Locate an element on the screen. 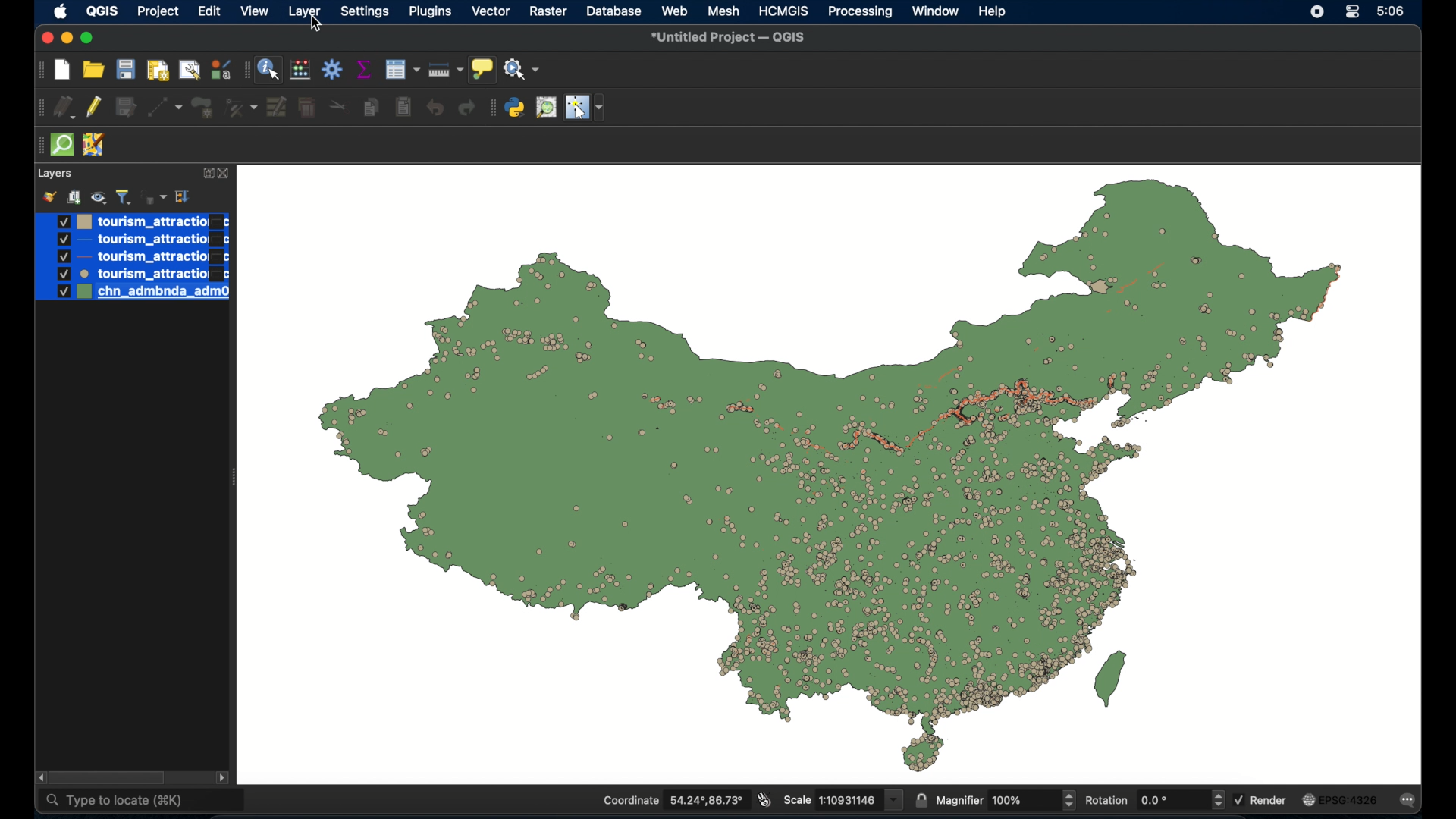 Image resolution: width=1456 pixels, height=819 pixels. layer is located at coordinates (54, 174).